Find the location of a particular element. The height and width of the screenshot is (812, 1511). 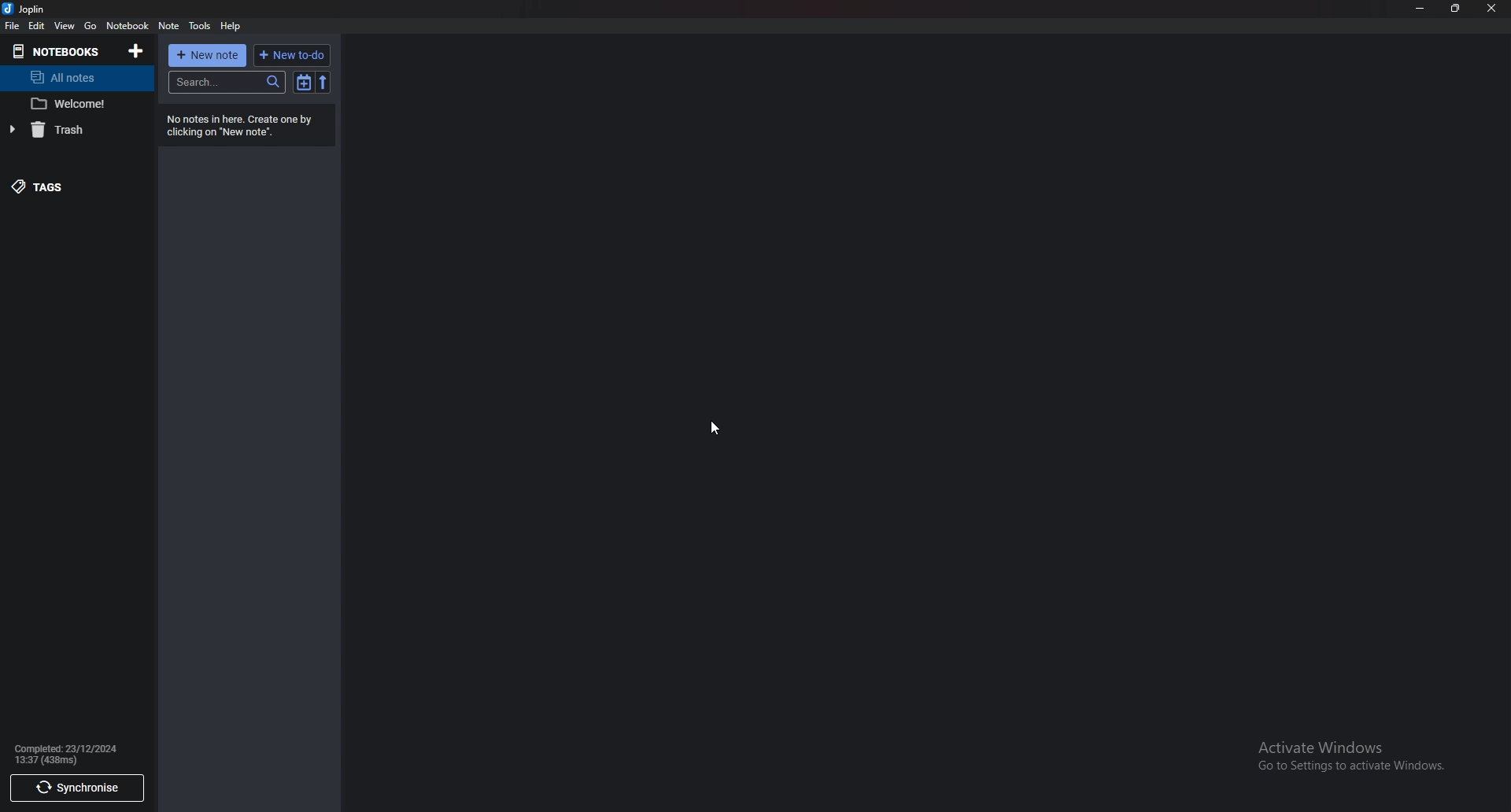

File is located at coordinates (14, 27).